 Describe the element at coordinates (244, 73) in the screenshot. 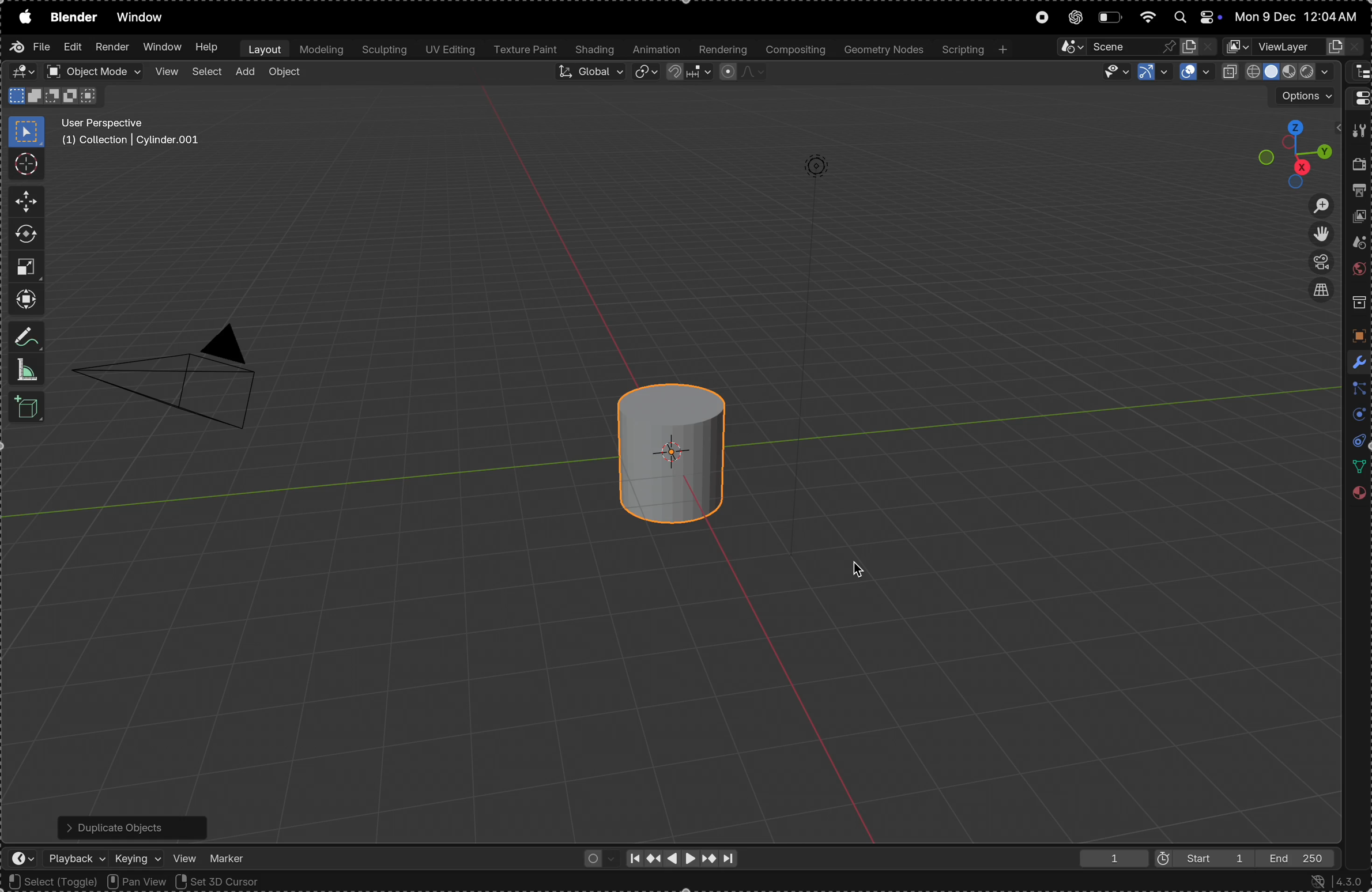

I see `add` at that location.